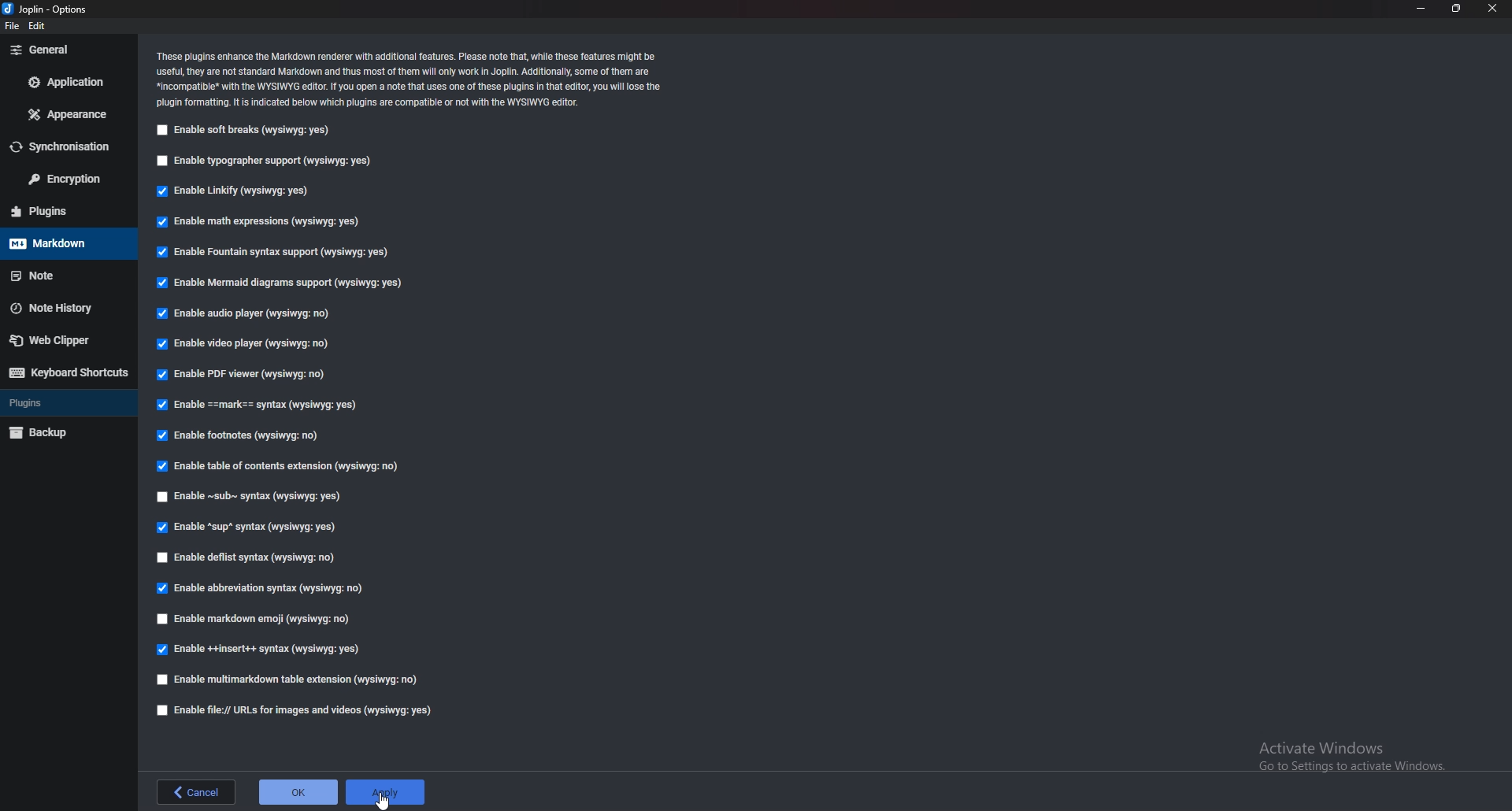 Image resolution: width=1512 pixels, height=811 pixels. I want to click on Plugins, so click(68, 403).